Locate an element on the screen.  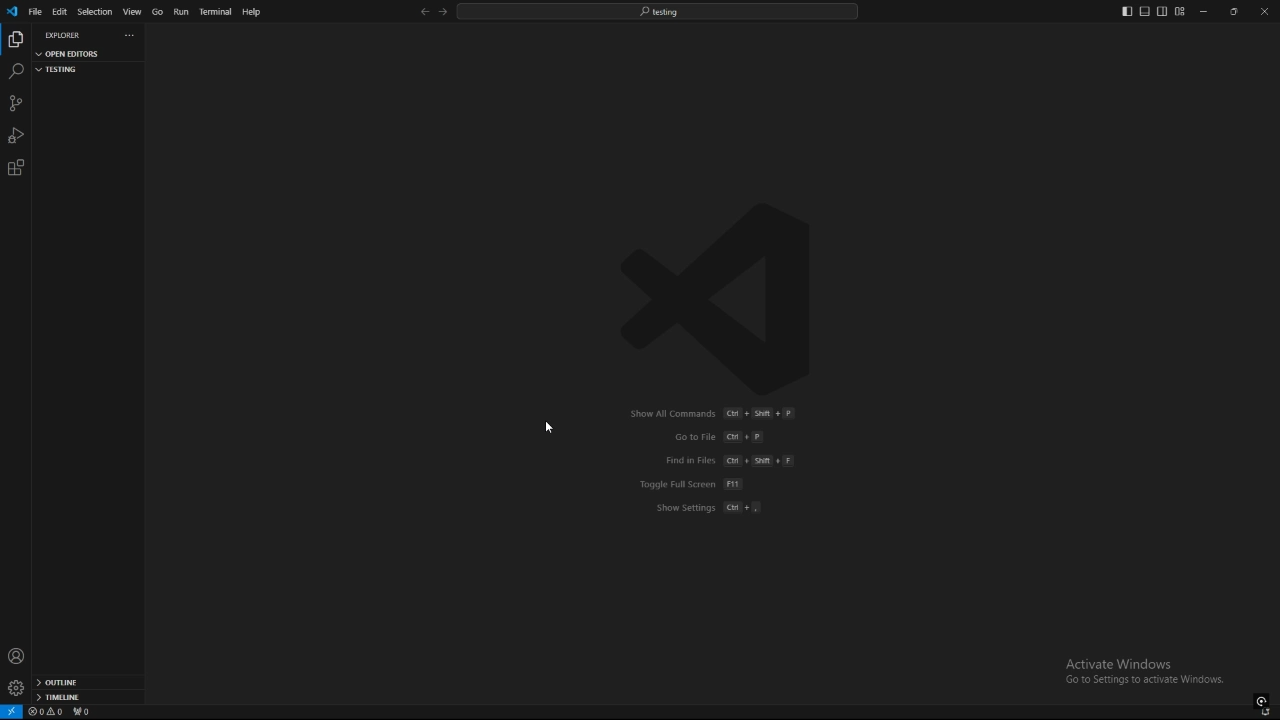
run is located at coordinates (180, 12).